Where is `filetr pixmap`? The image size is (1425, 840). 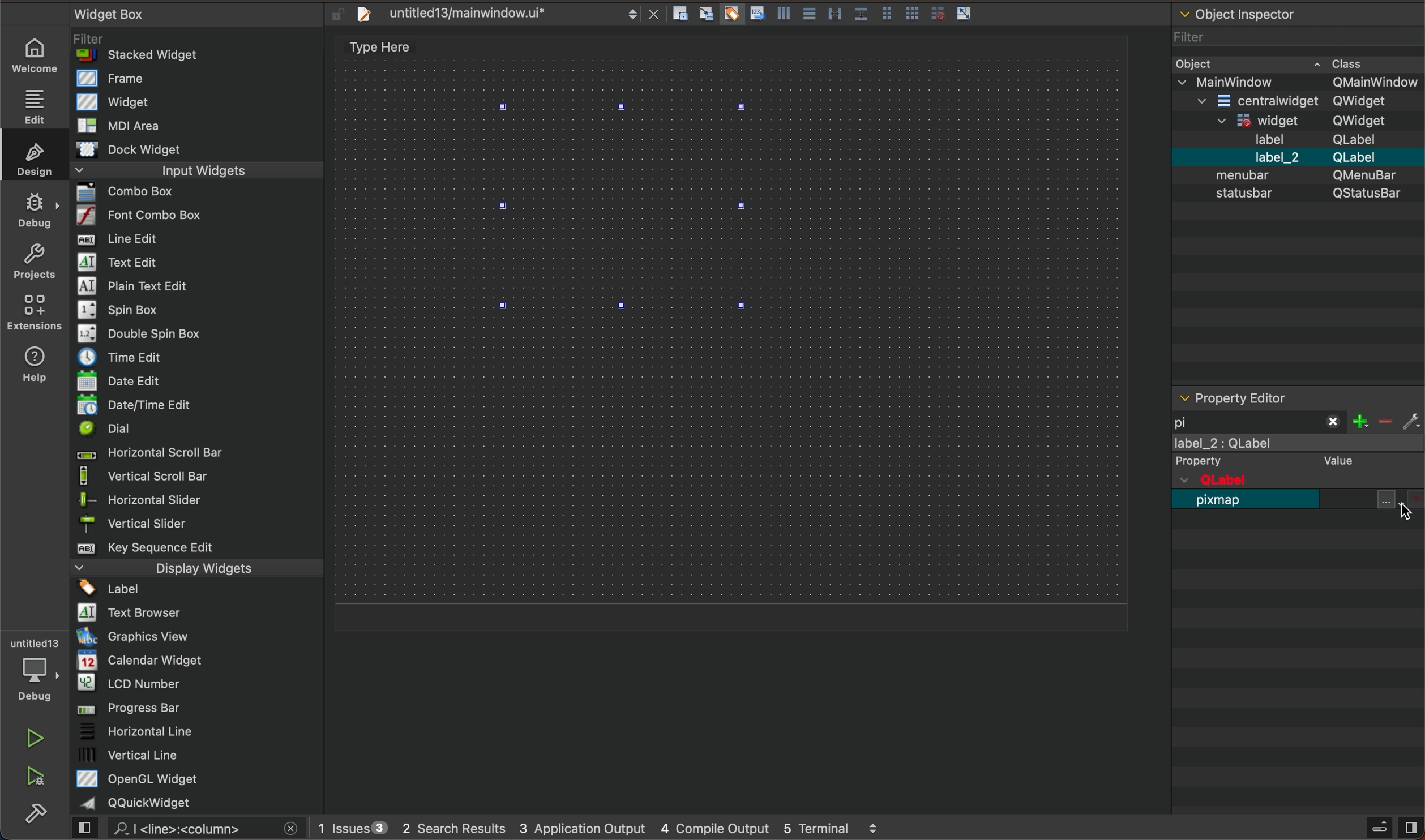 filetr pixmap is located at coordinates (1260, 420).